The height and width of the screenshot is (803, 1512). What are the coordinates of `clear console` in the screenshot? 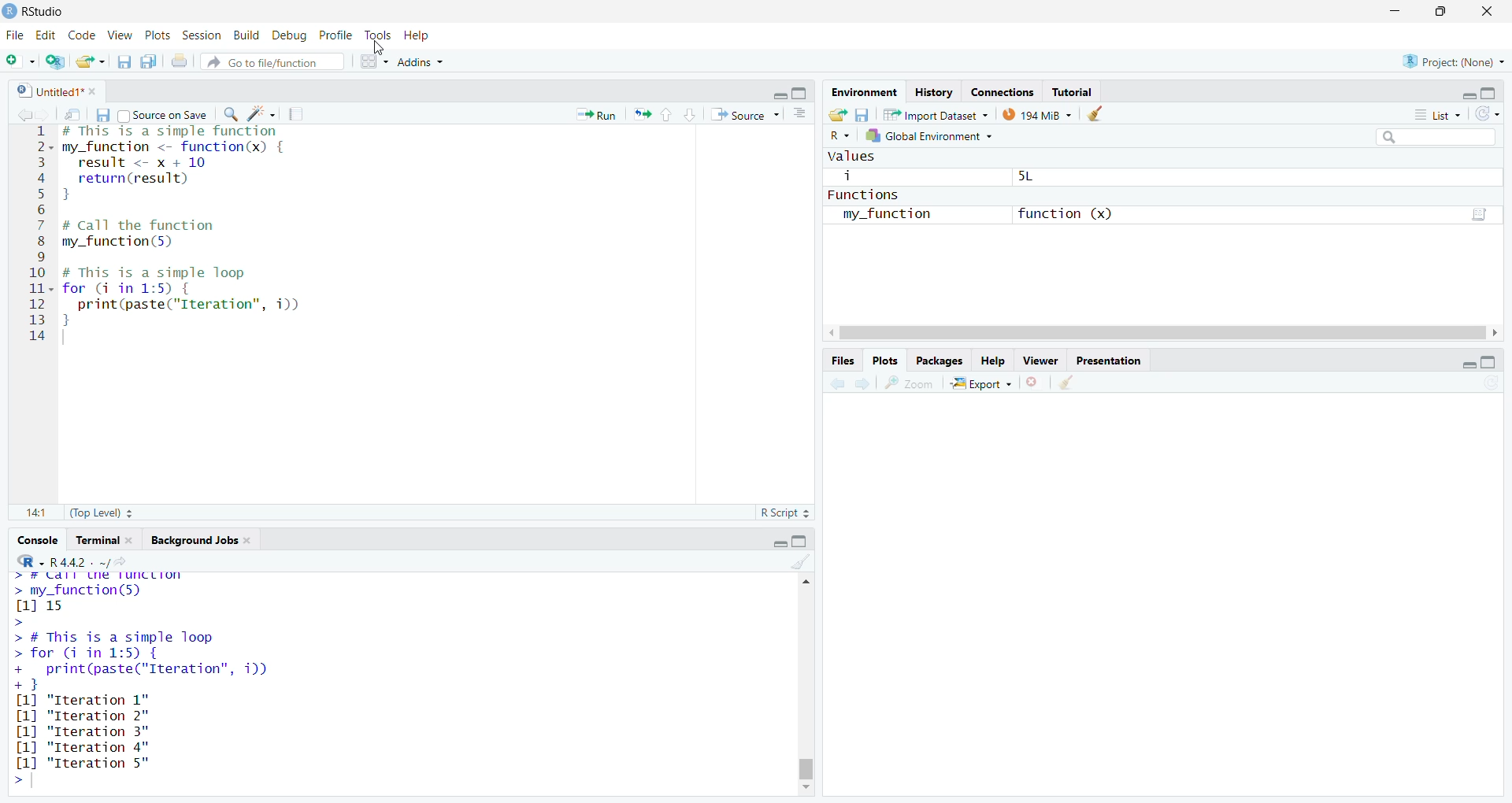 It's located at (801, 561).